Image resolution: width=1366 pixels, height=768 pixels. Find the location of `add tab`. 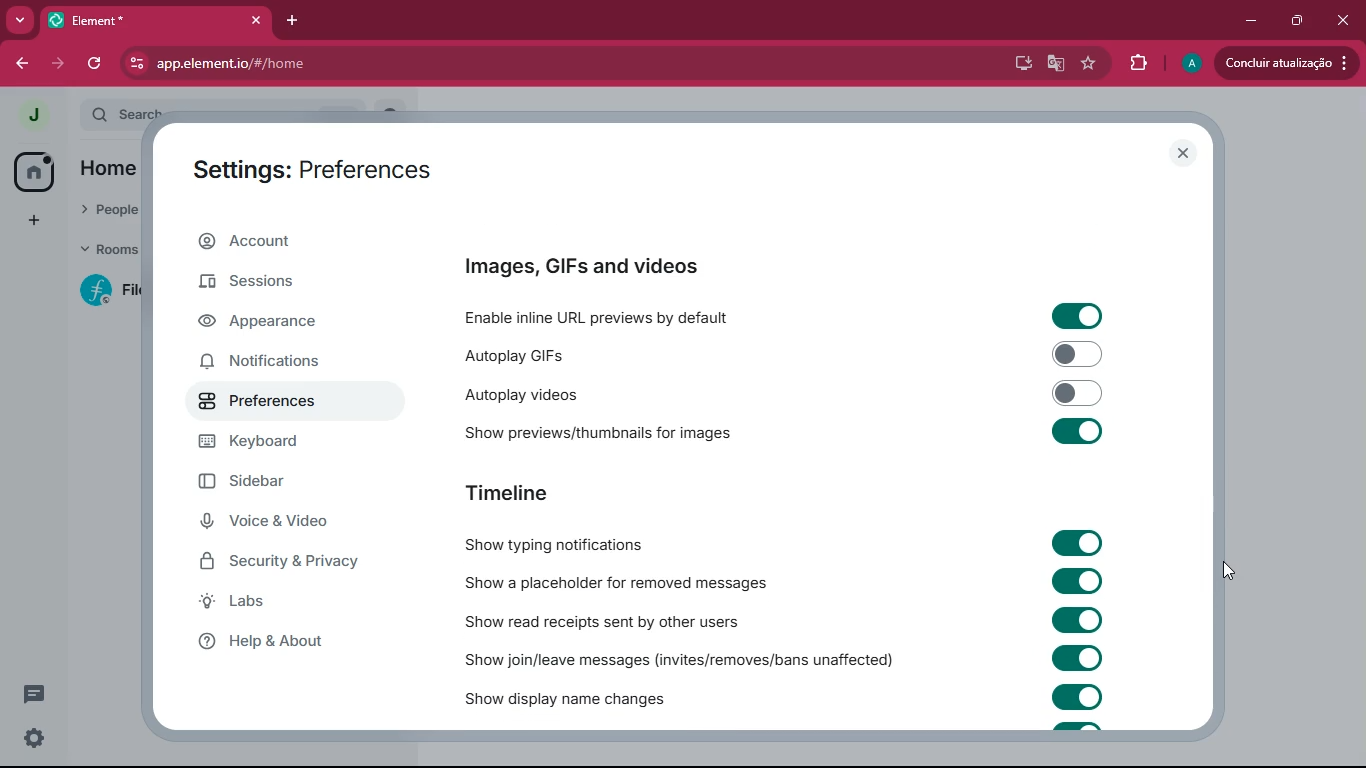

add tab is located at coordinates (293, 21).